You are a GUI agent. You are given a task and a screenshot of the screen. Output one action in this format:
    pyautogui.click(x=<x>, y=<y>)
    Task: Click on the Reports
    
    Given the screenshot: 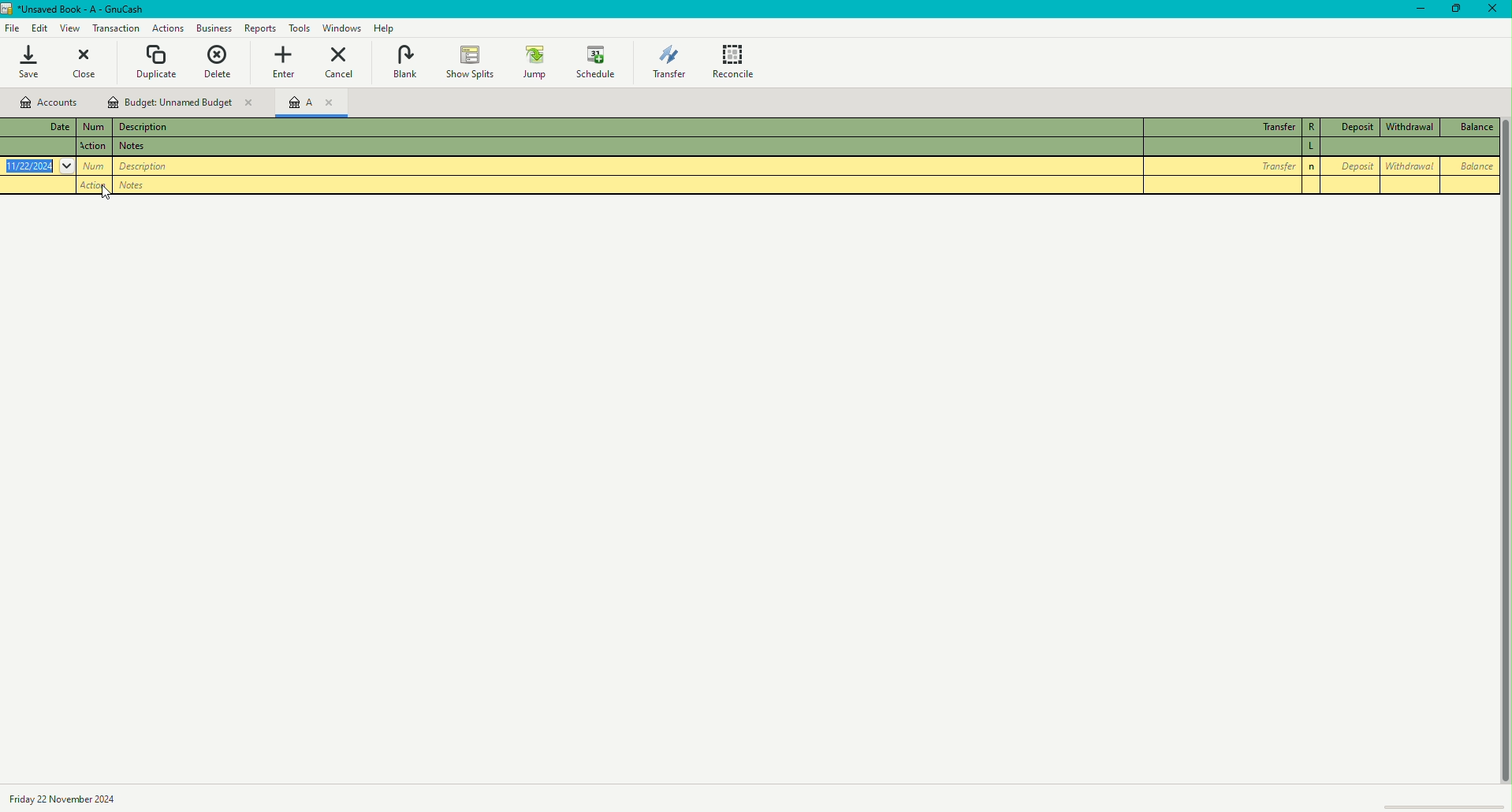 What is the action you would take?
    pyautogui.click(x=259, y=28)
    